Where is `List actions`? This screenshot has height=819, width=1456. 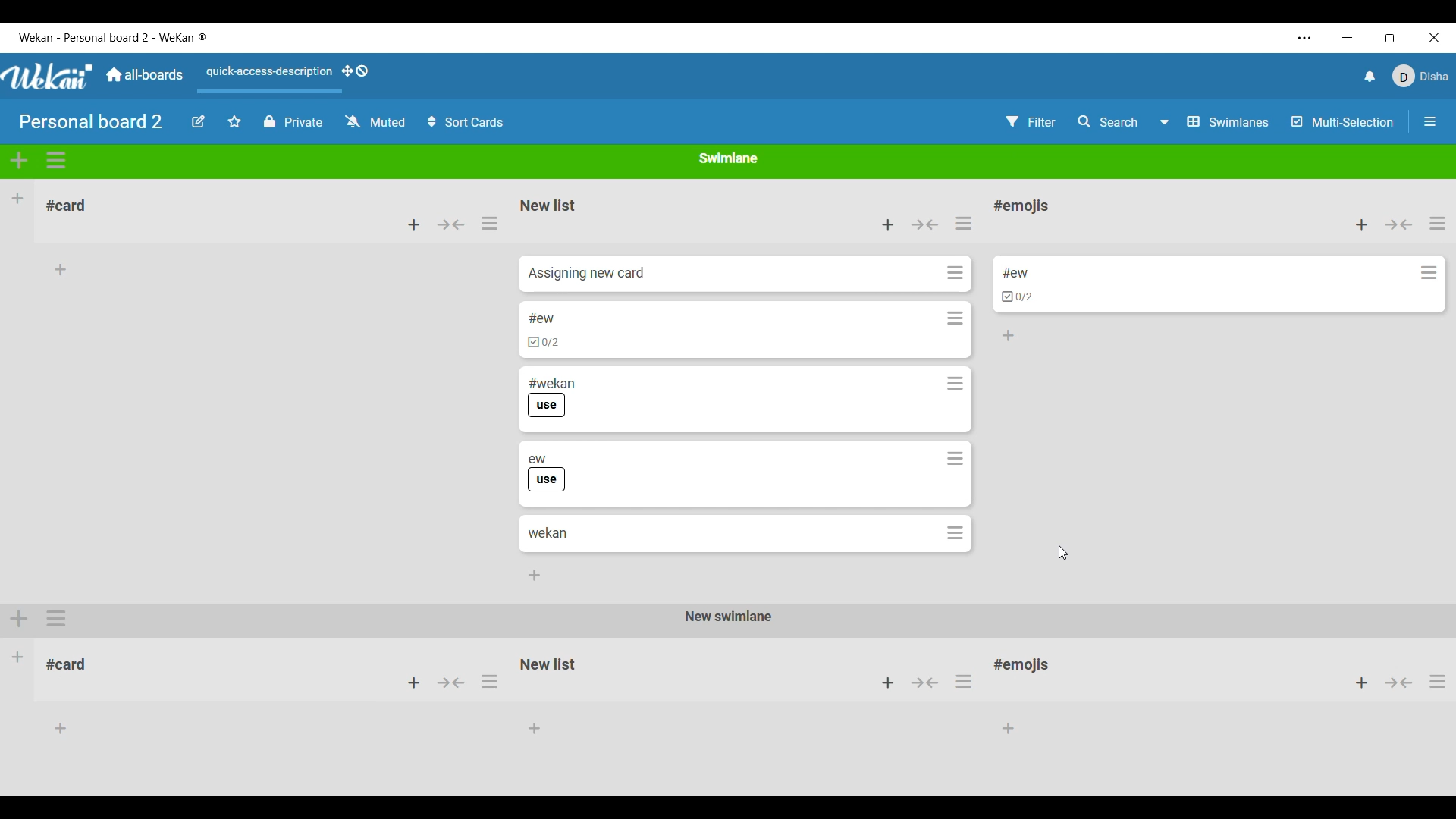 List actions is located at coordinates (964, 223).